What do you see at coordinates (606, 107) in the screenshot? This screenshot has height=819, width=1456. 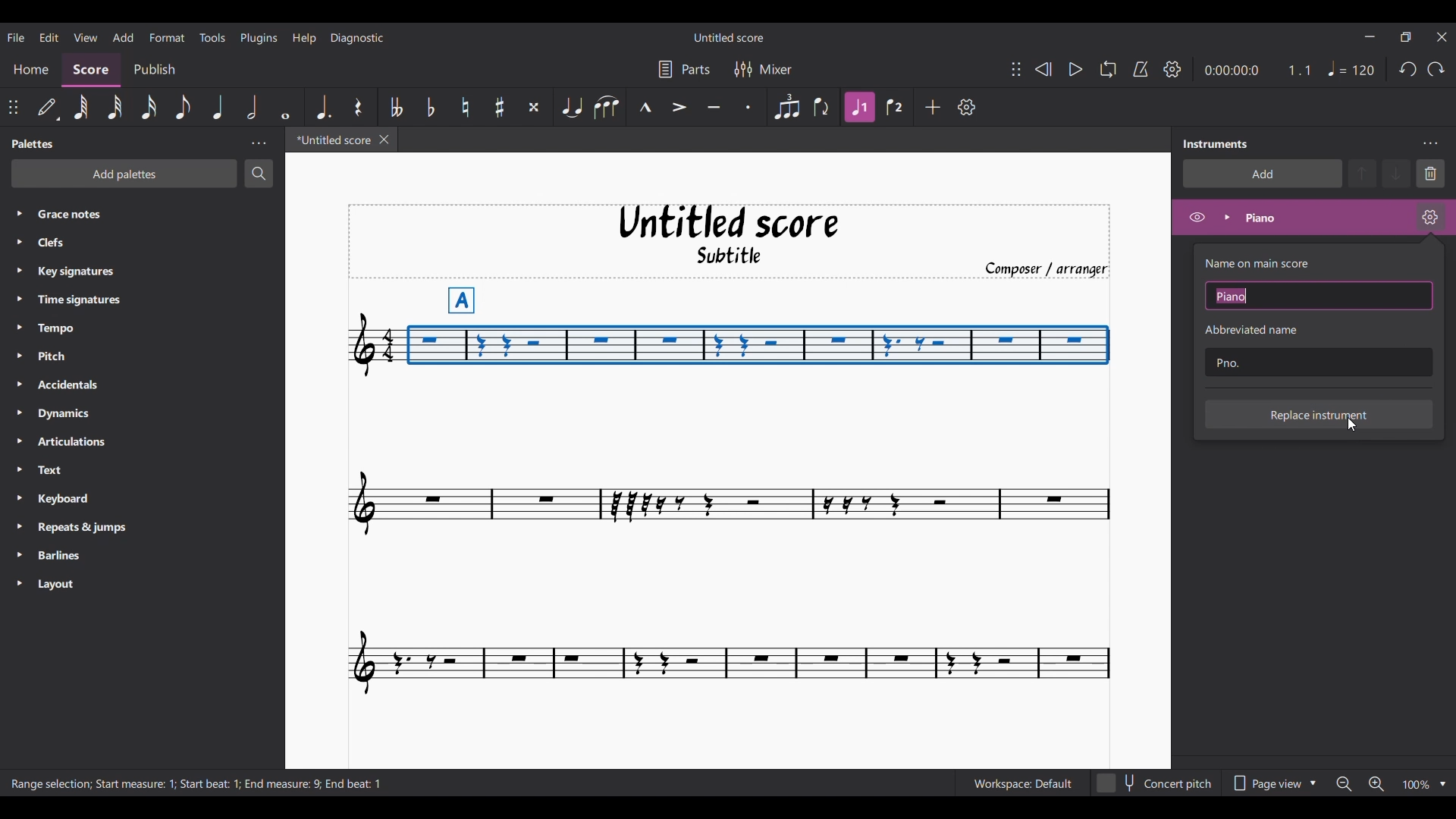 I see `Slur` at bounding box center [606, 107].